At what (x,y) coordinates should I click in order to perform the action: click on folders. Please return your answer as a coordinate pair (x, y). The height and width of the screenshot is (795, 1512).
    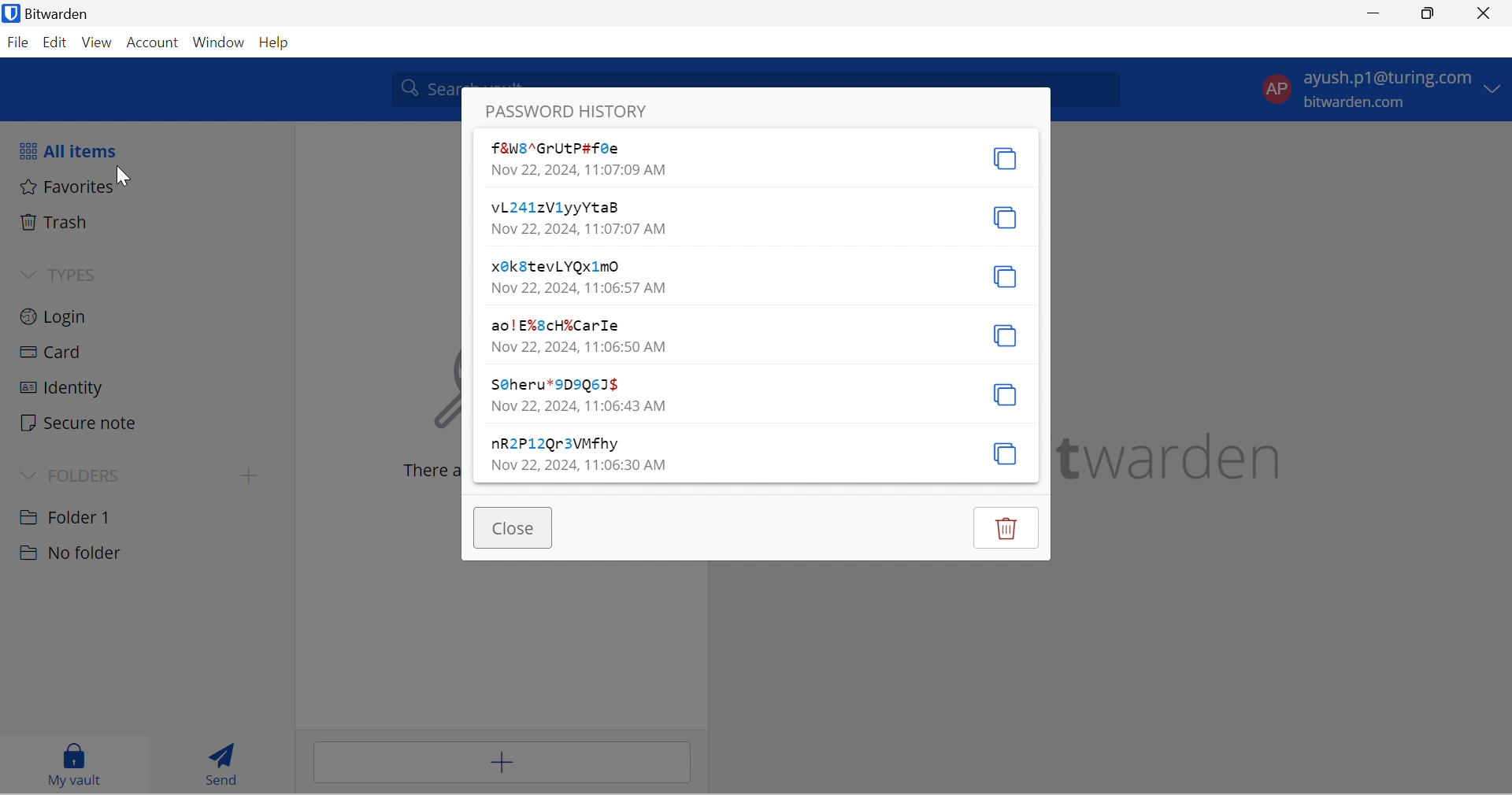
    Looking at the image, I should click on (78, 474).